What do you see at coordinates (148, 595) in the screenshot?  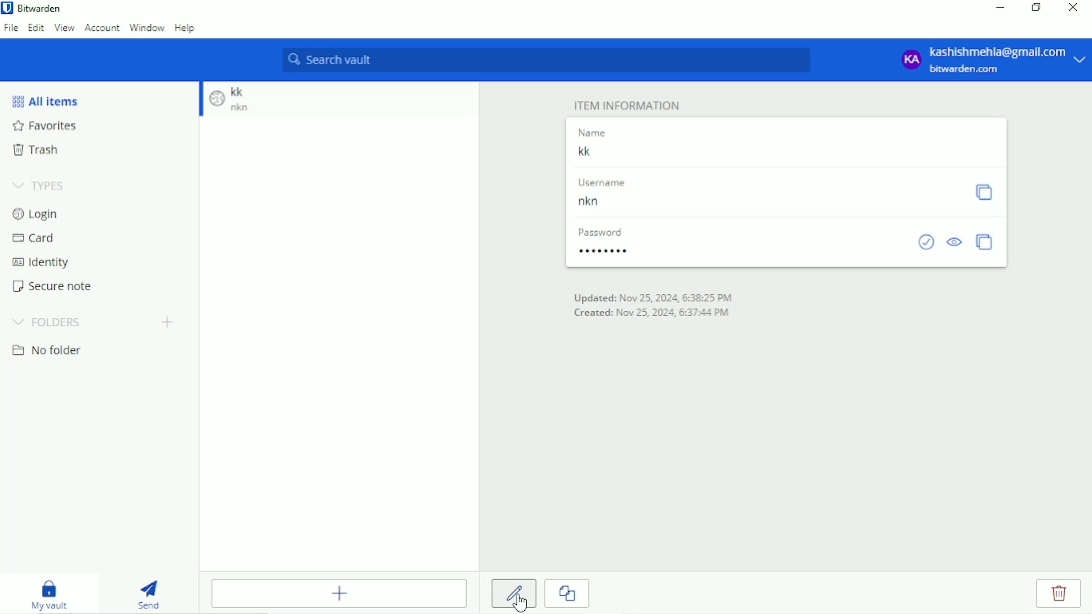 I see `Send` at bounding box center [148, 595].